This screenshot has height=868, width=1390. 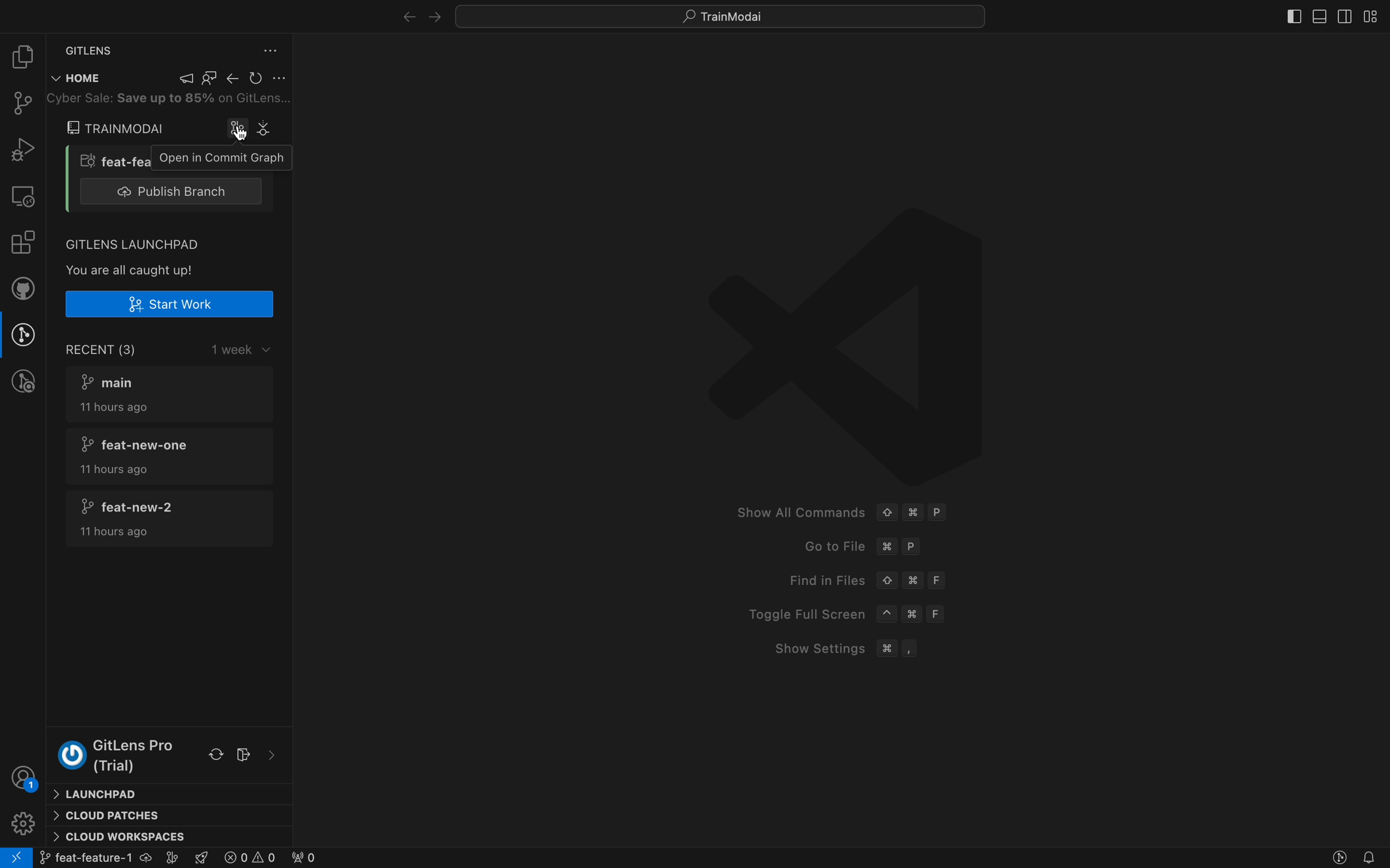 What do you see at coordinates (272, 50) in the screenshot?
I see `gitlens settings` at bounding box center [272, 50].